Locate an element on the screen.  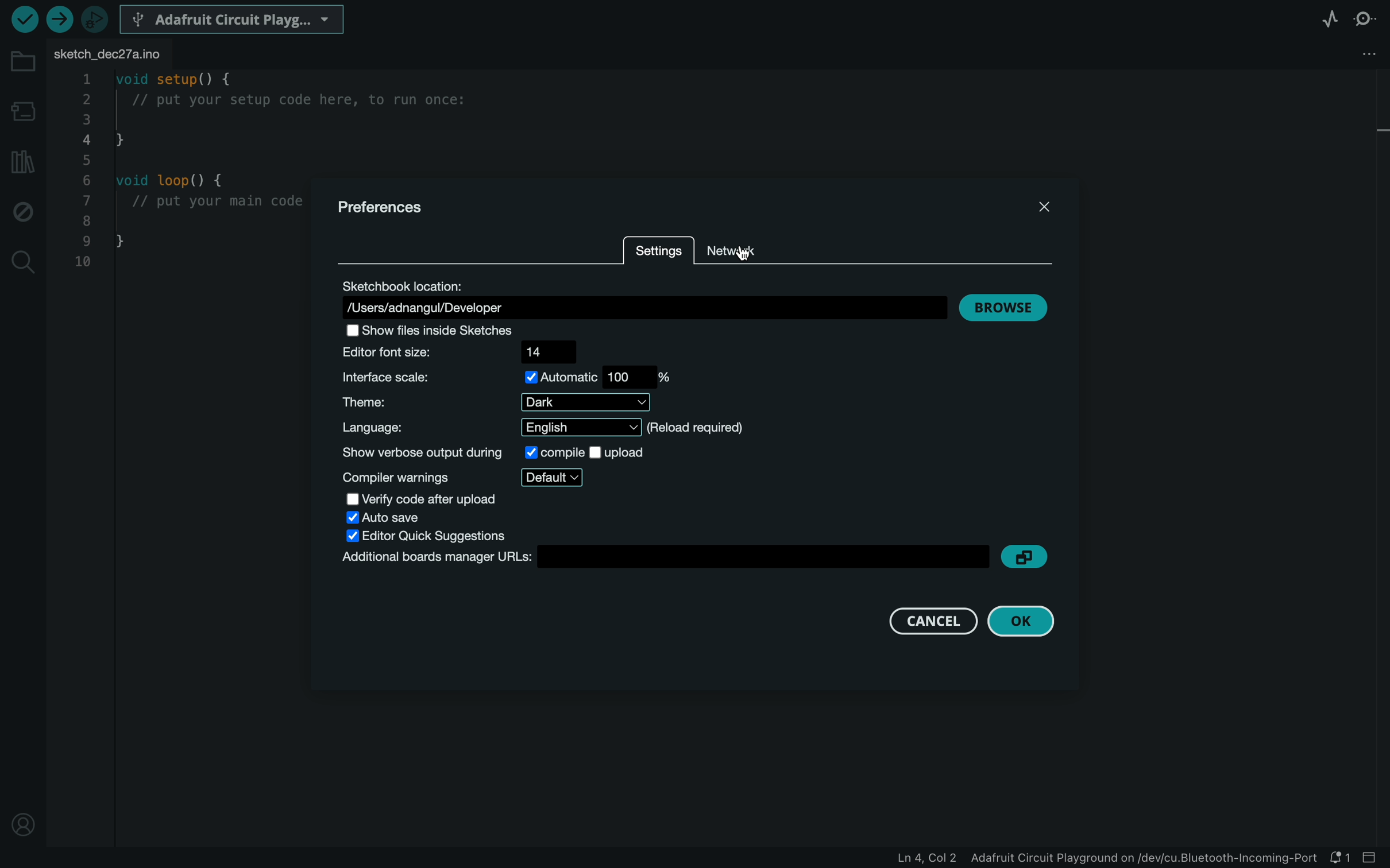
serial plotter is located at coordinates (1330, 18).